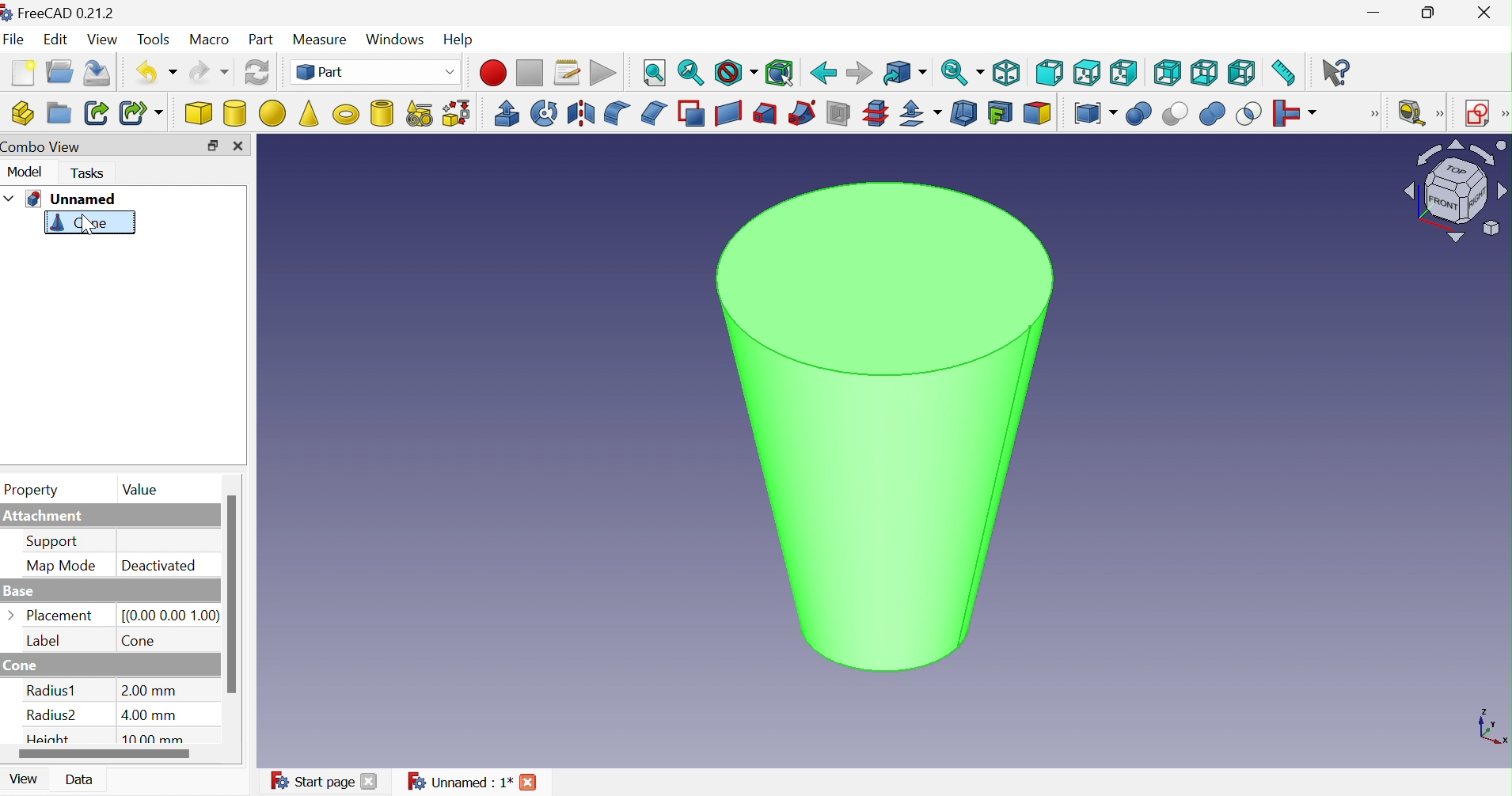 The height and width of the screenshot is (796, 1512). I want to click on Isometric, so click(1005, 74).